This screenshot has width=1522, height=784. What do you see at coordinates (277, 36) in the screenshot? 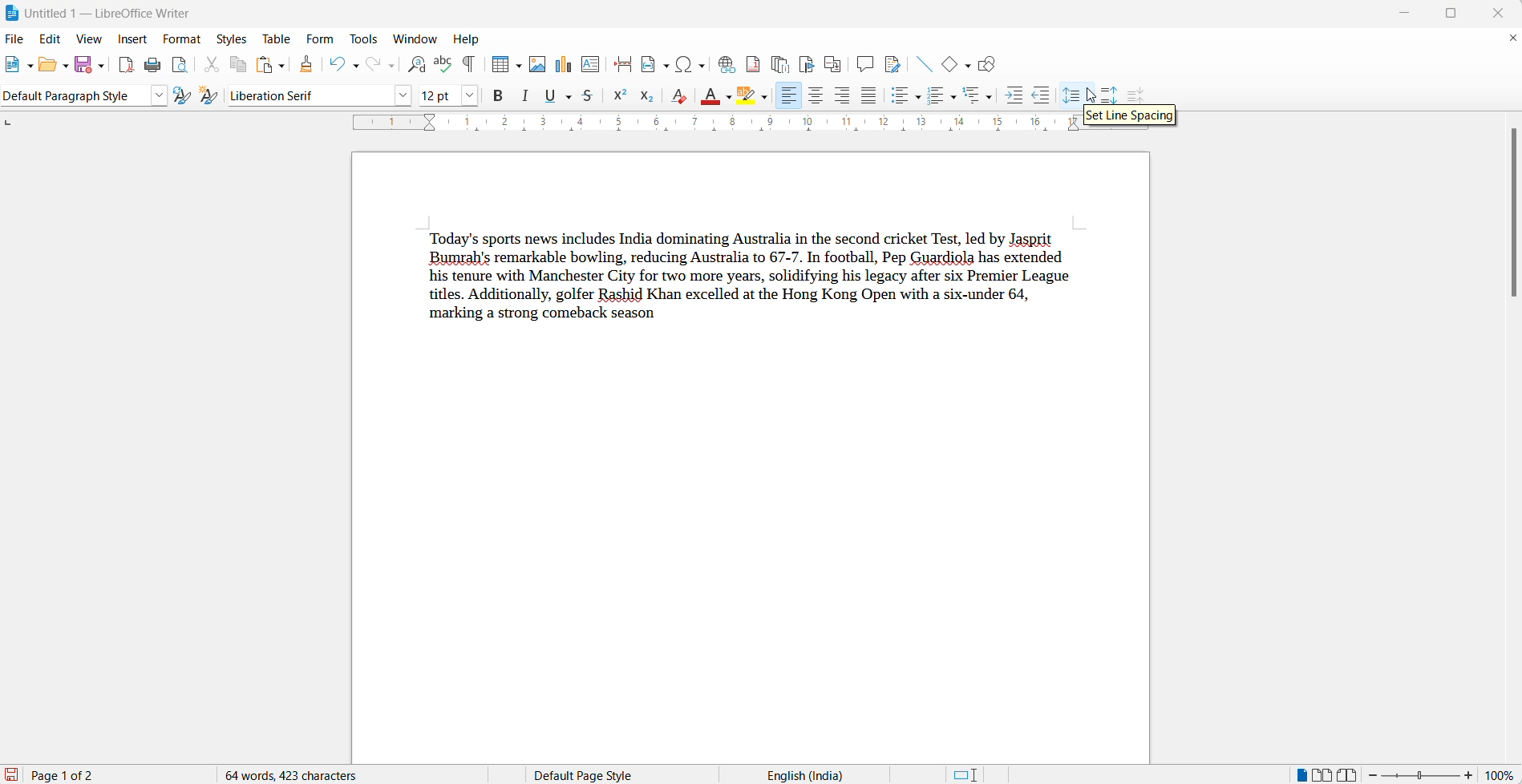
I see `table` at bounding box center [277, 36].